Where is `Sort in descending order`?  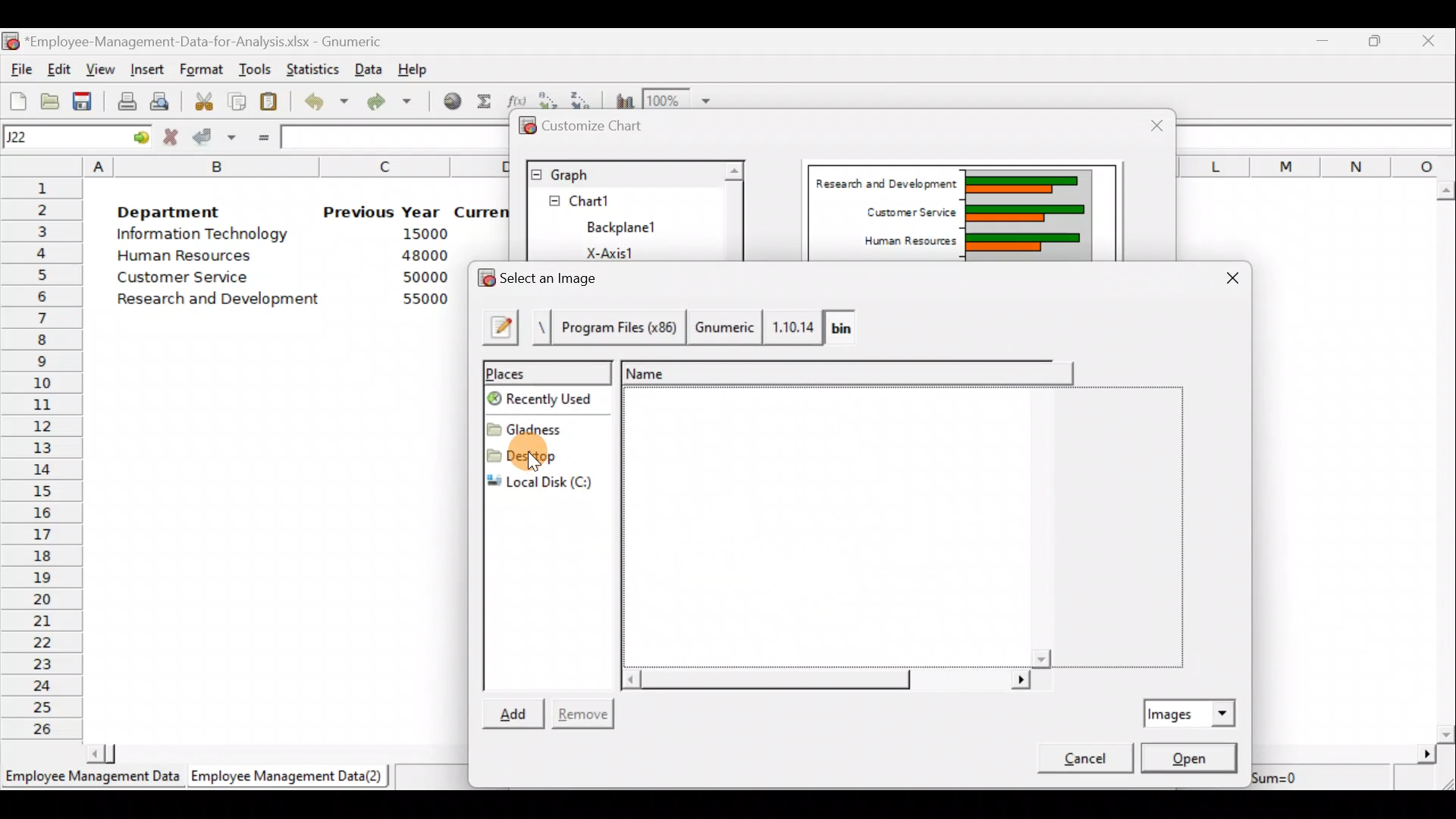
Sort in descending order is located at coordinates (584, 96).